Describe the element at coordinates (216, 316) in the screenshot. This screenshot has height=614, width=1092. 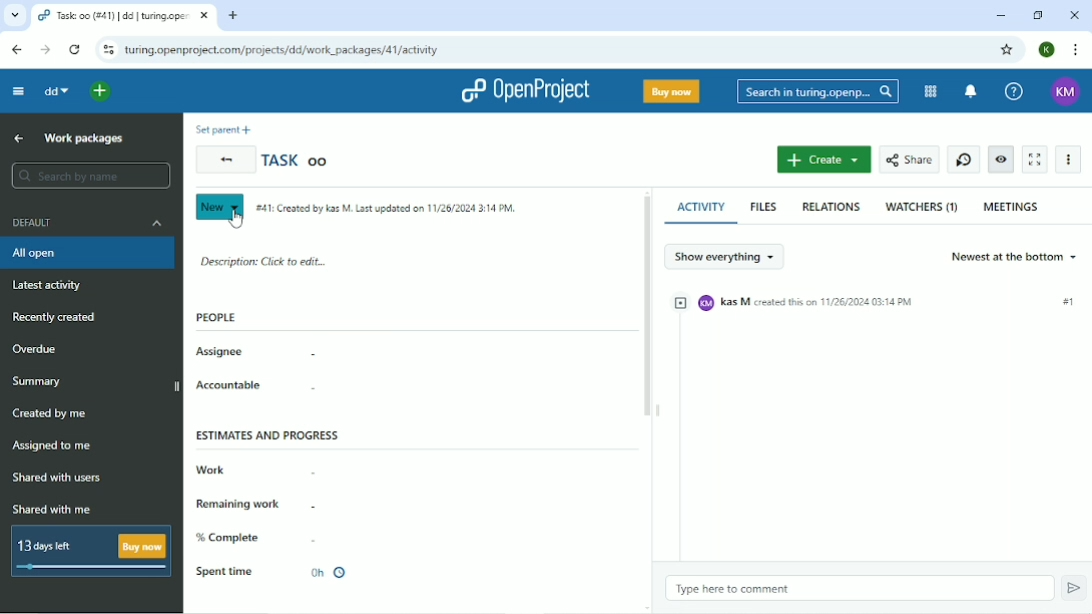
I see `People` at that location.